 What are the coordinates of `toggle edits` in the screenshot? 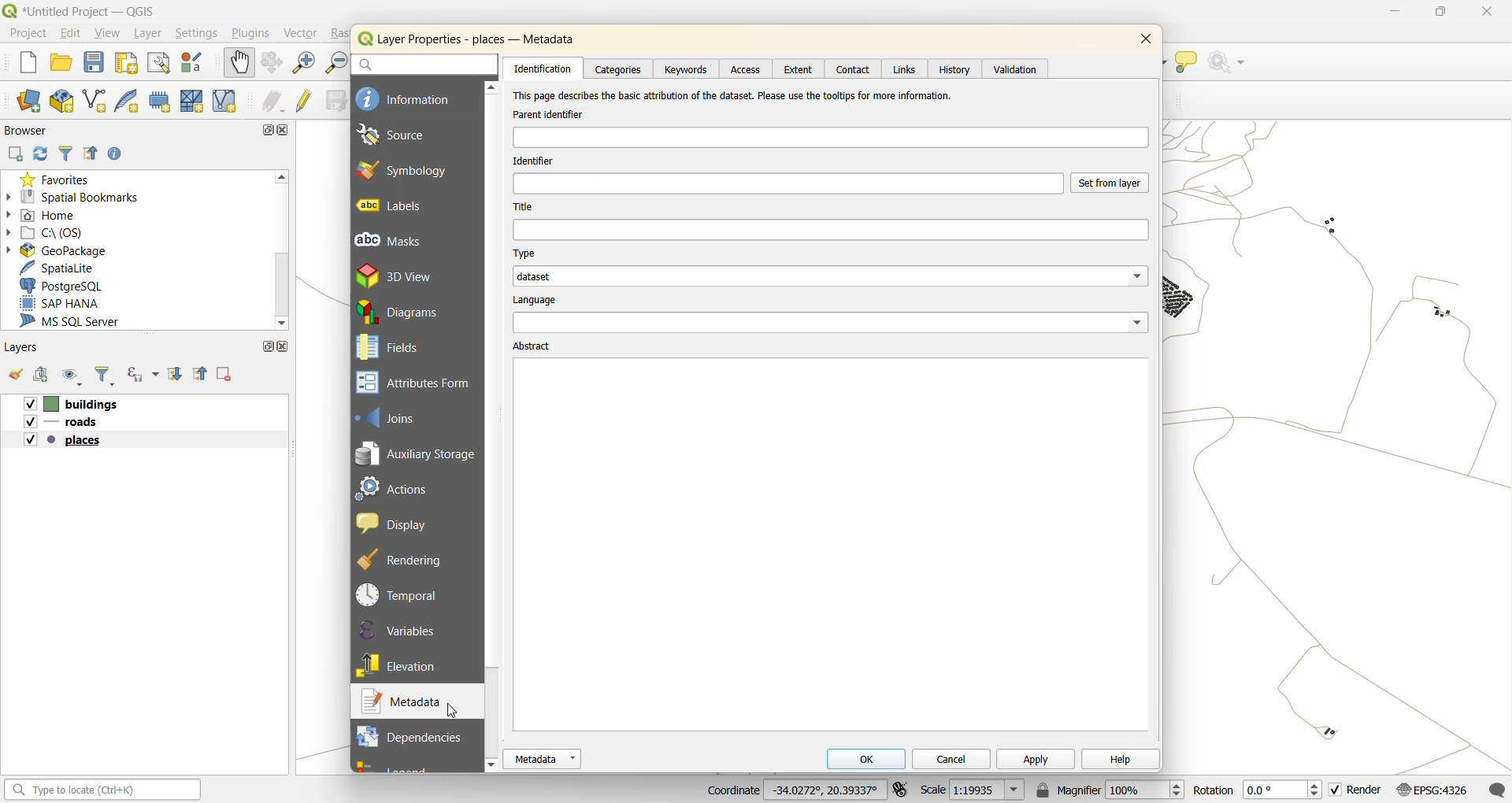 It's located at (305, 102).